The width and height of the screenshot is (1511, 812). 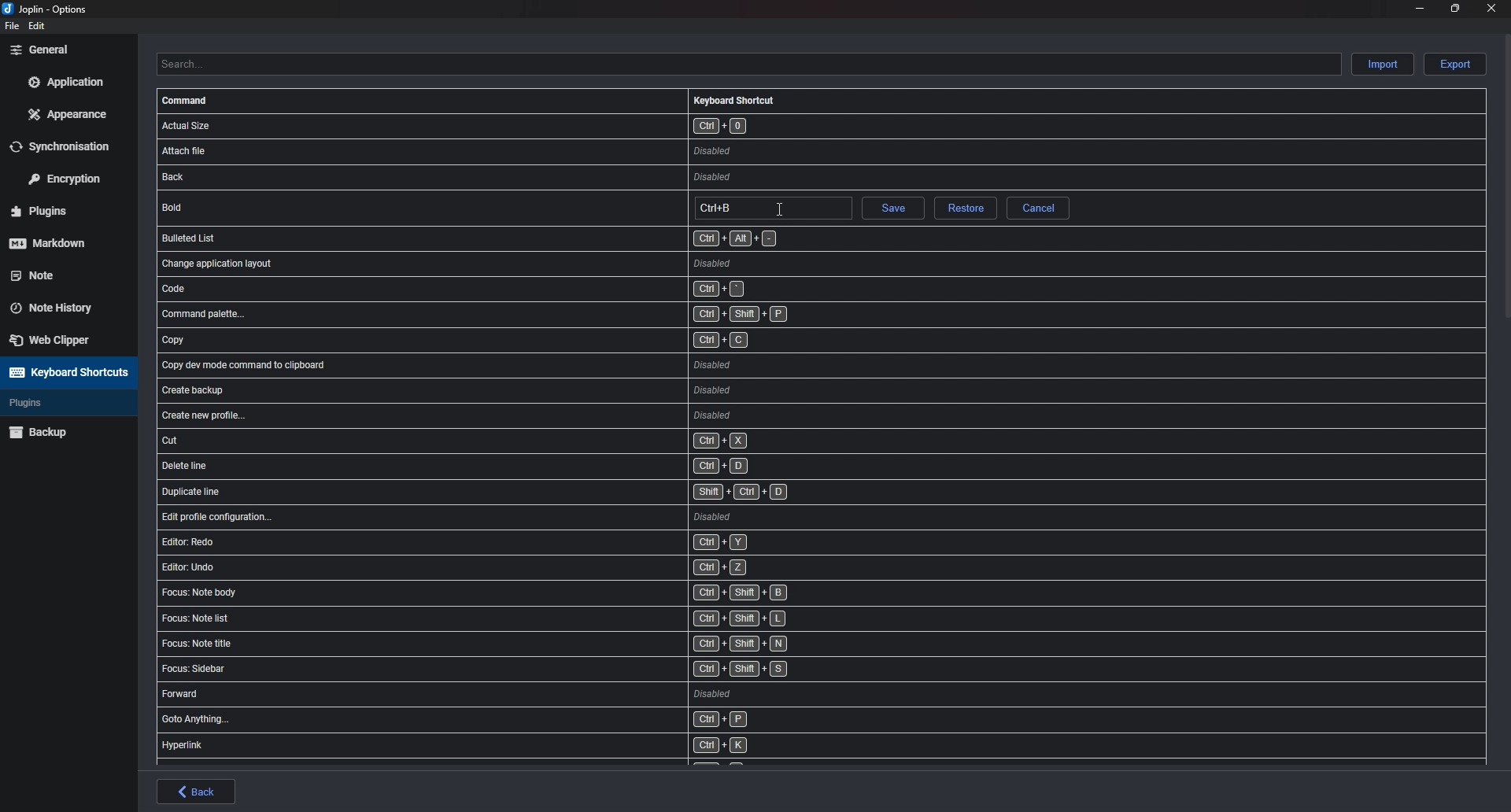 What do you see at coordinates (1489, 8) in the screenshot?
I see `close` at bounding box center [1489, 8].